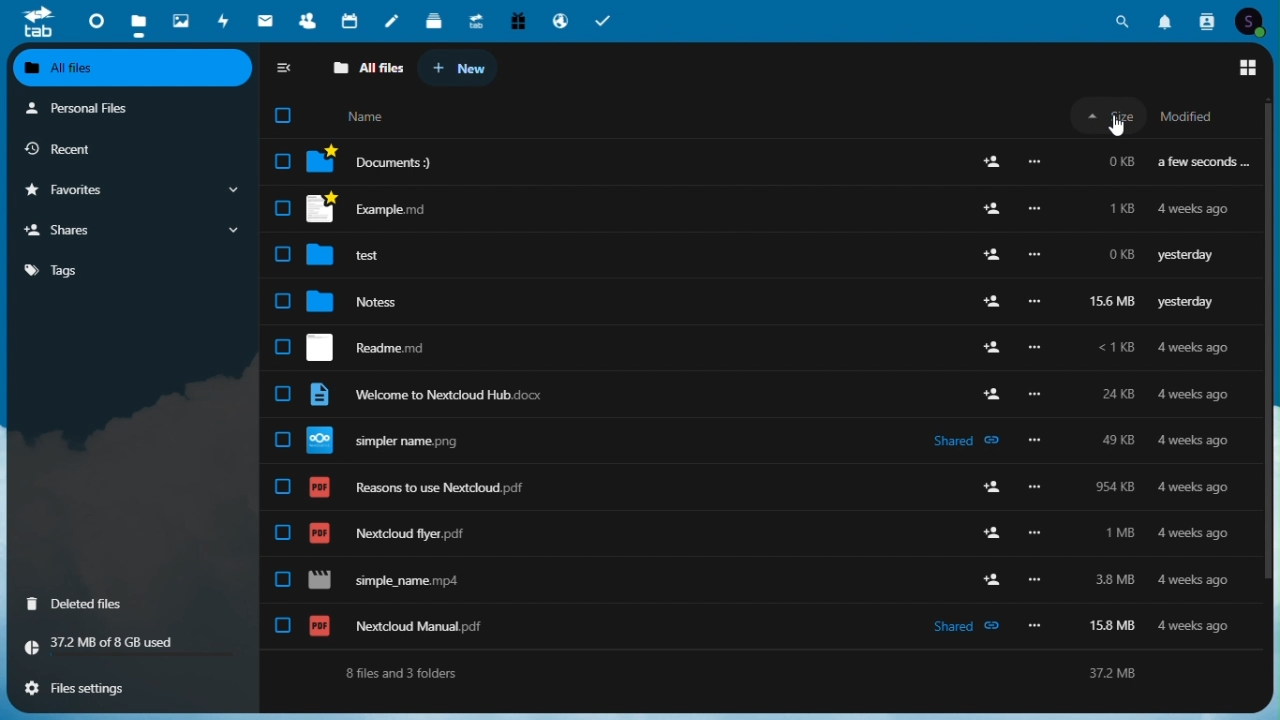  Describe the element at coordinates (134, 68) in the screenshot. I see `All files` at that location.